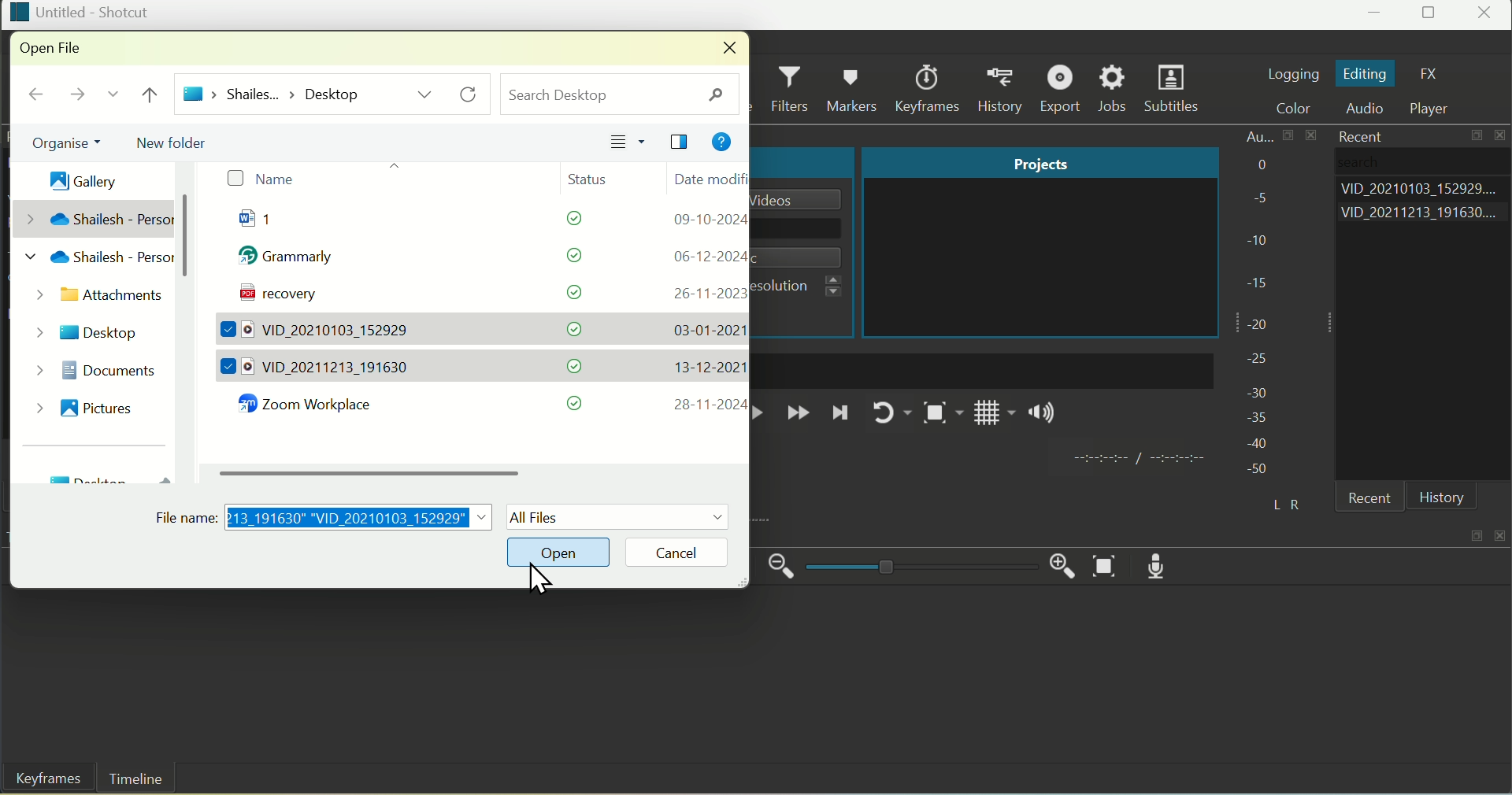  I want to click on Maximize, so click(1431, 15).